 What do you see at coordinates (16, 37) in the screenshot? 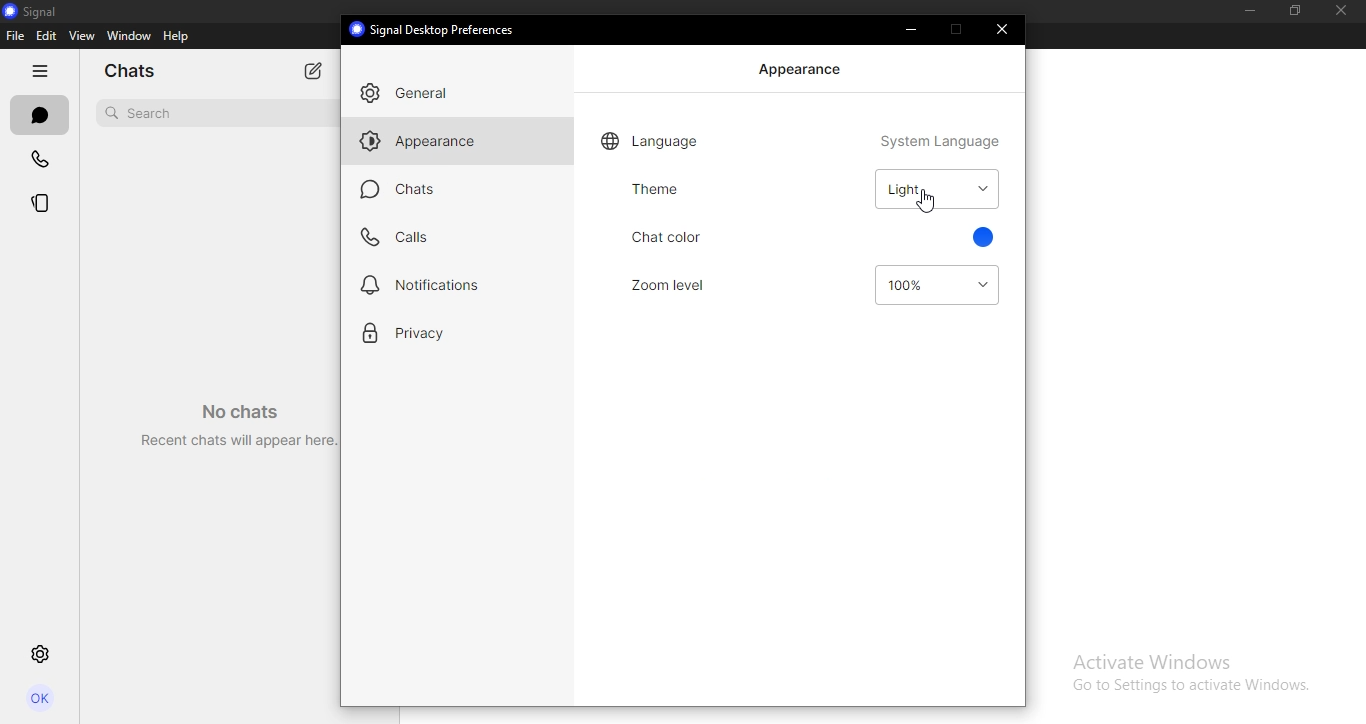
I see `file` at bounding box center [16, 37].